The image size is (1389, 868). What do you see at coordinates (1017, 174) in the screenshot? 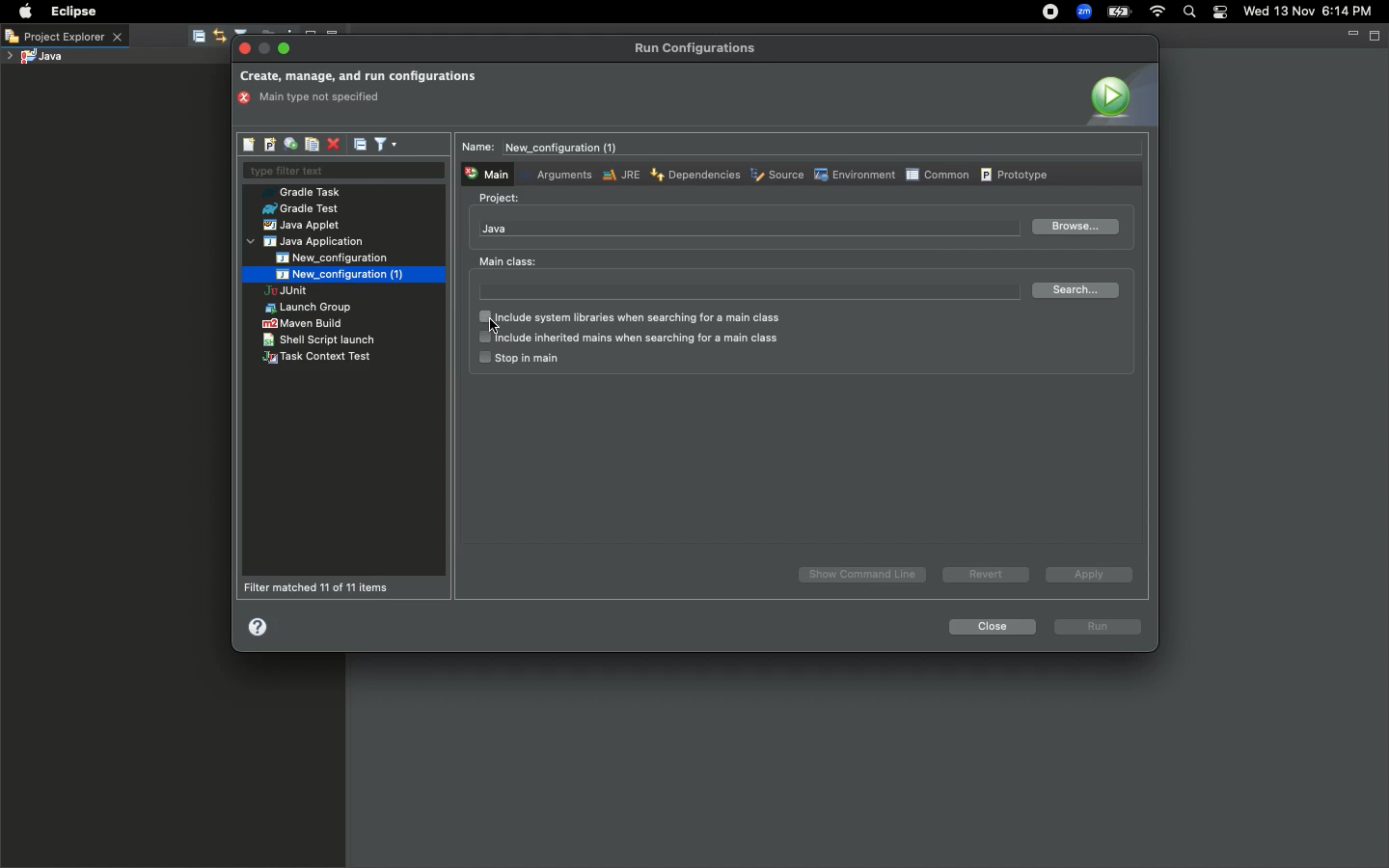
I see `Prototype` at bounding box center [1017, 174].